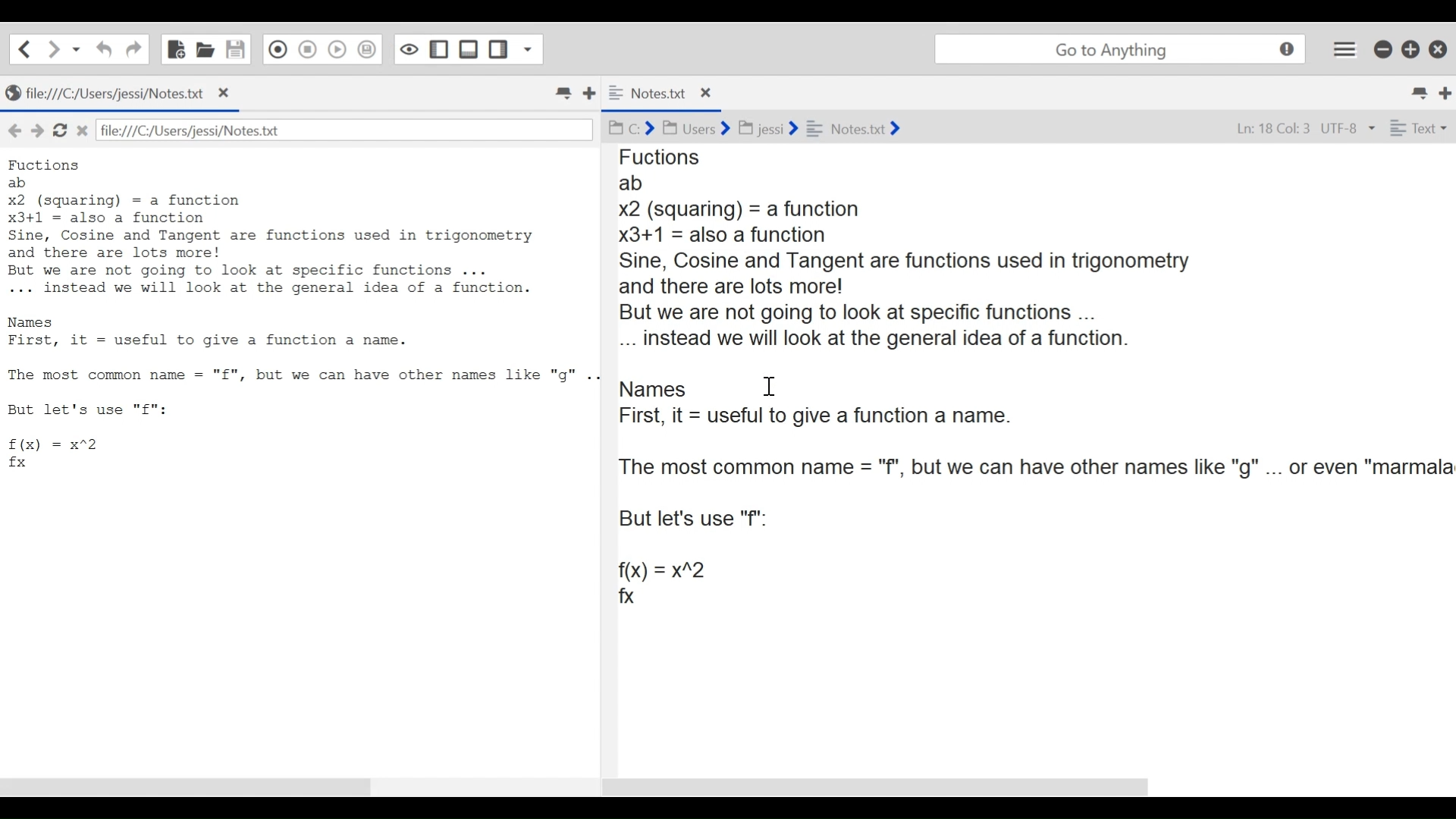 This screenshot has height=819, width=1456. Describe the element at coordinates (409, 50) in the screenshot. I see `Toggle focus mode` at that location.